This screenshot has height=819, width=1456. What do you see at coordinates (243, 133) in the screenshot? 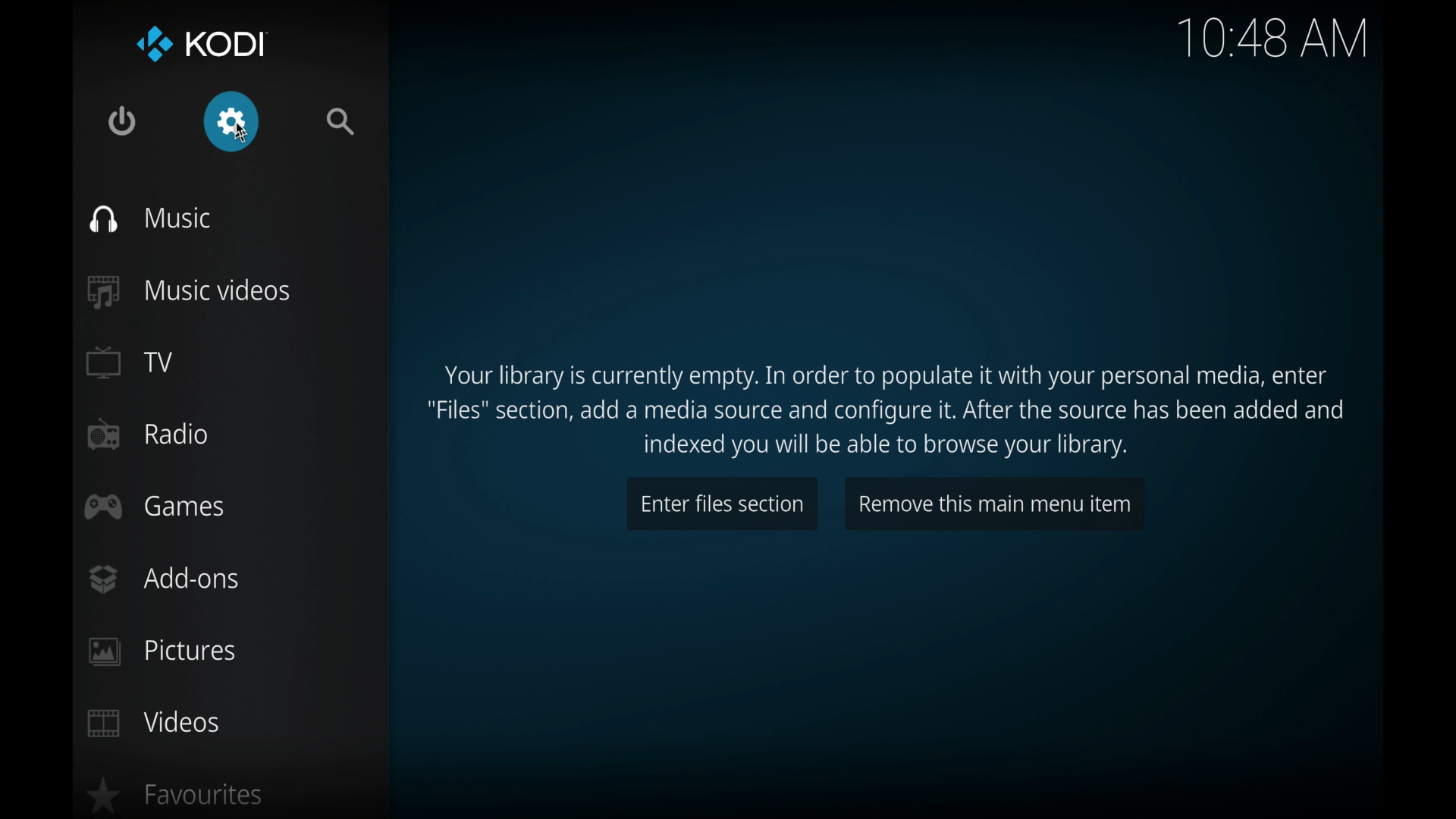
I see `cursor` at bounding box center [243, 133].